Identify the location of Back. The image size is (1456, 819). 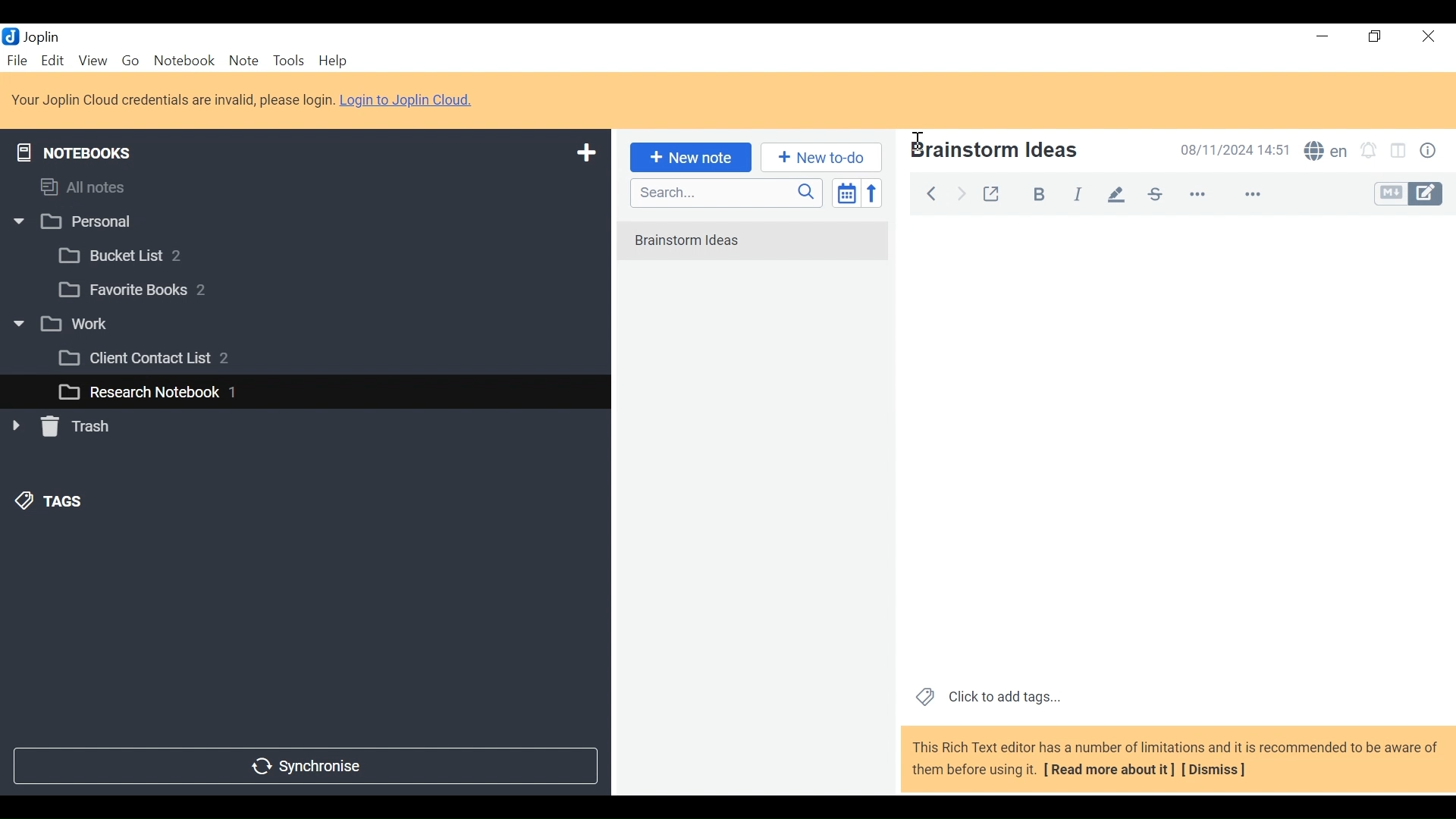
(930, 191).